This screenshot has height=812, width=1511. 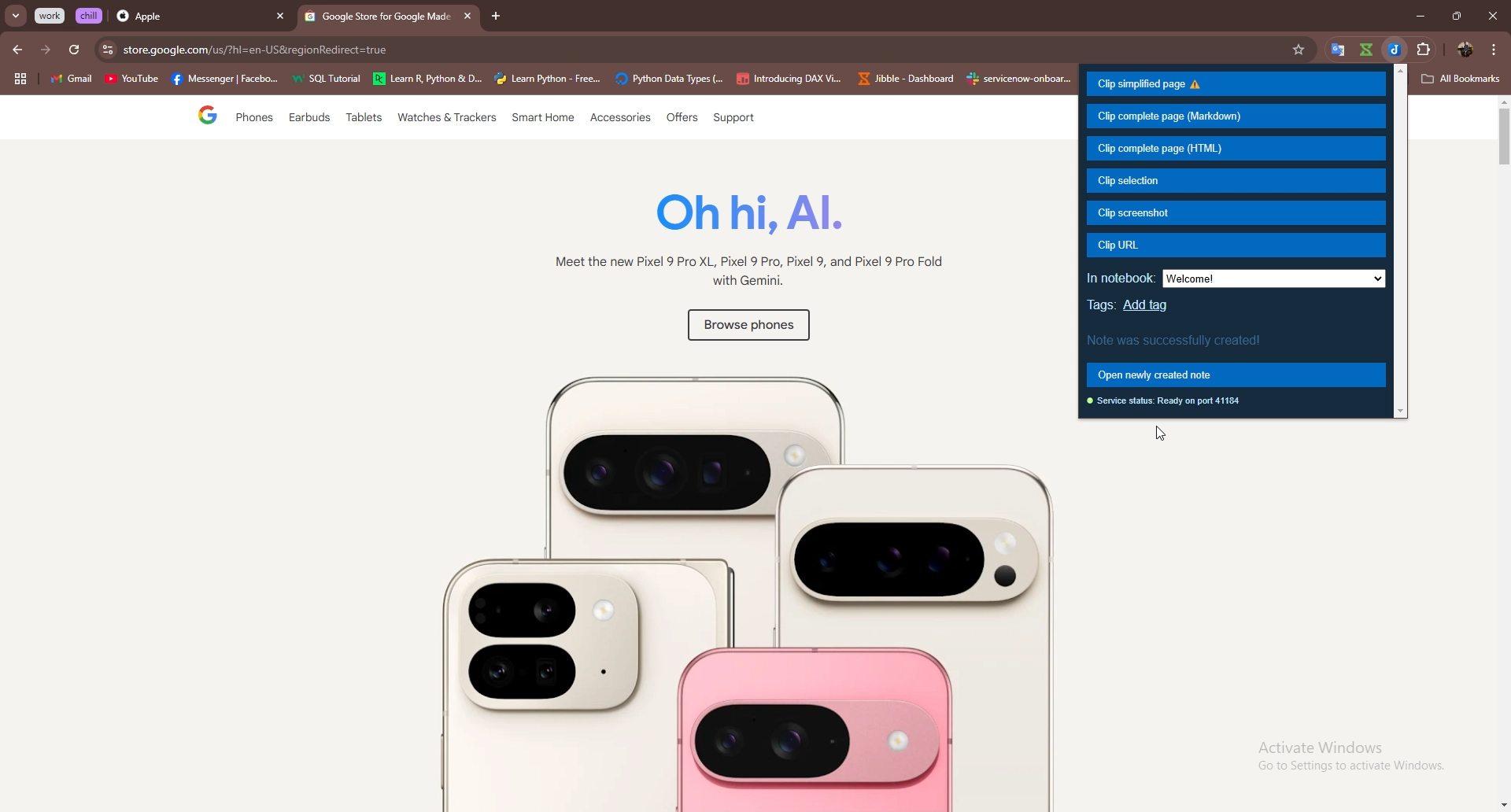 What do you see at coordinates (549, 79) in the screenshot?
I see `Learn  Python- Free` at bounding box center [549, 79].